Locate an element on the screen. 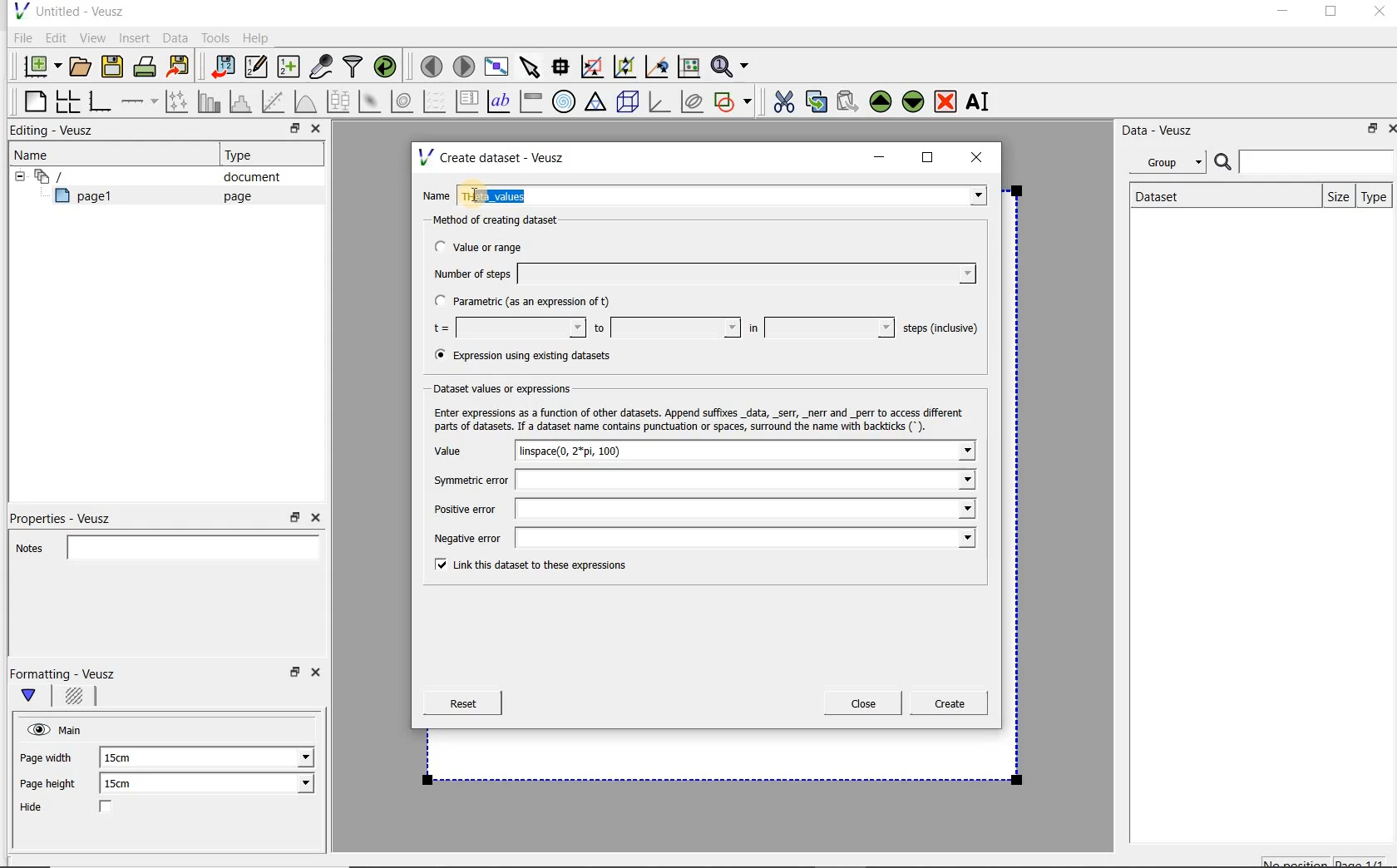 This screenshot has width=1397, height=868. click or draw a rectangle to zoom graph axes is located at coordinates (595, 67).